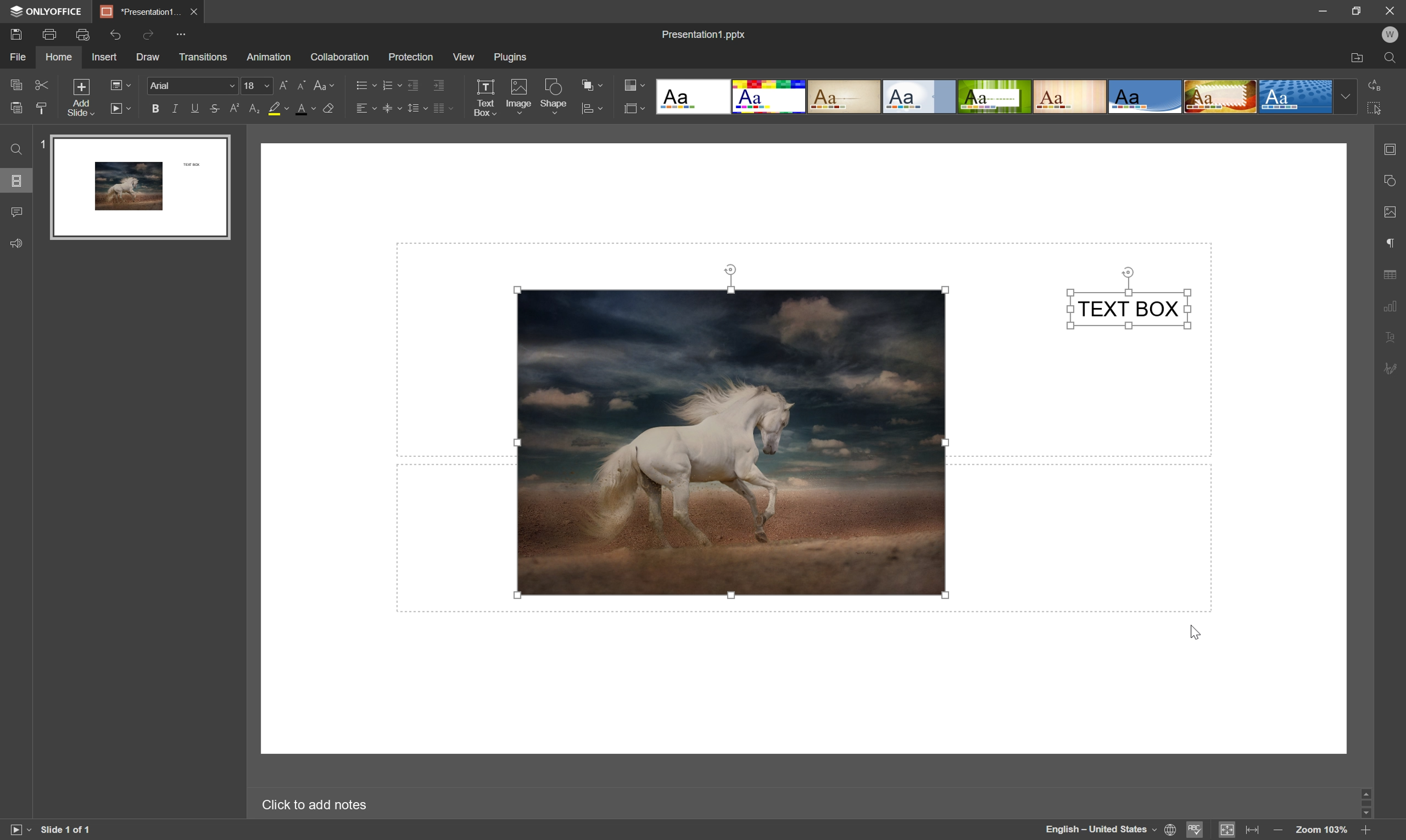  What do you see at coordinates (1391, 150) in the screenshot?
I see `slide settings` at bounding box center [1391, 150].